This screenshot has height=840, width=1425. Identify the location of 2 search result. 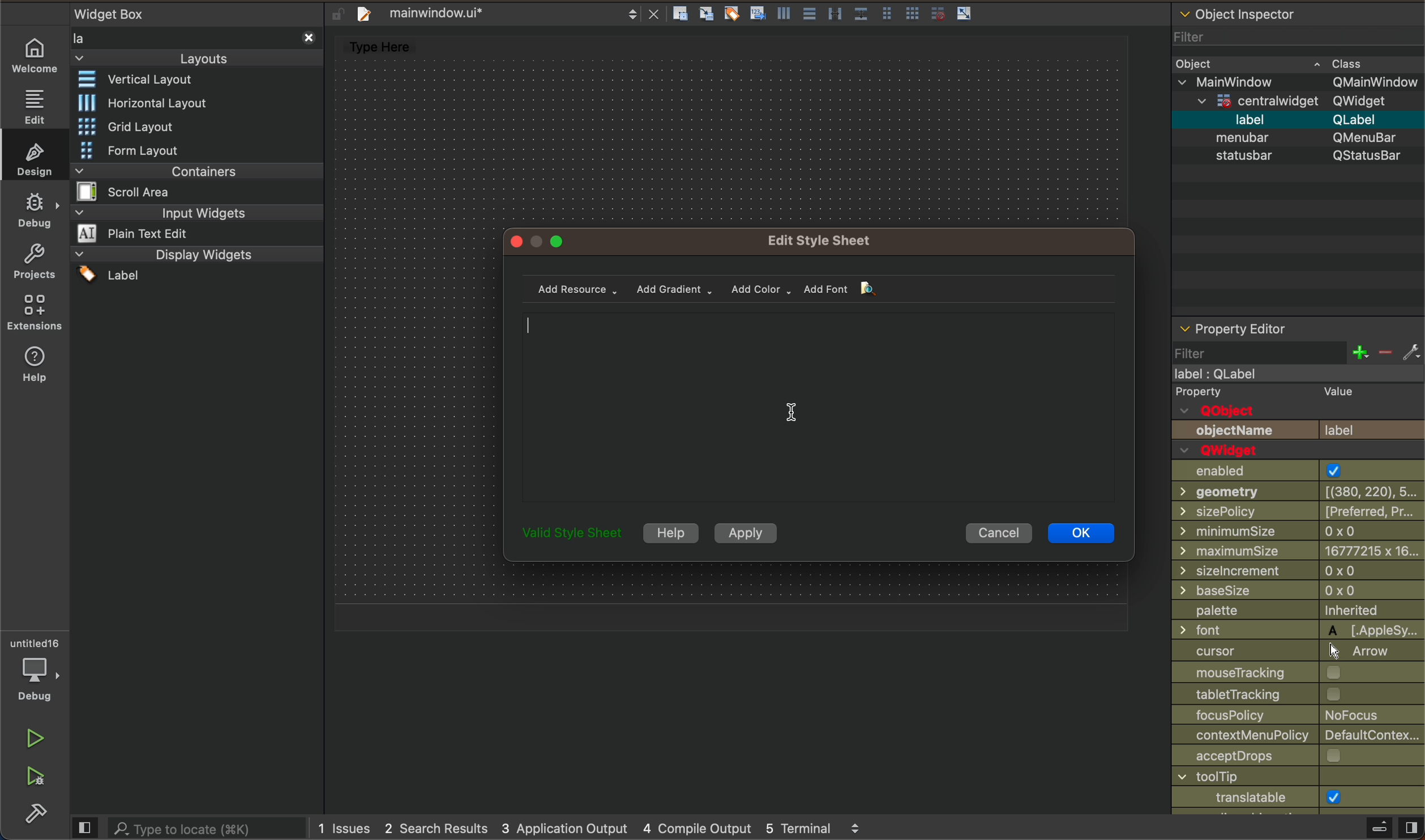
(438, 830).